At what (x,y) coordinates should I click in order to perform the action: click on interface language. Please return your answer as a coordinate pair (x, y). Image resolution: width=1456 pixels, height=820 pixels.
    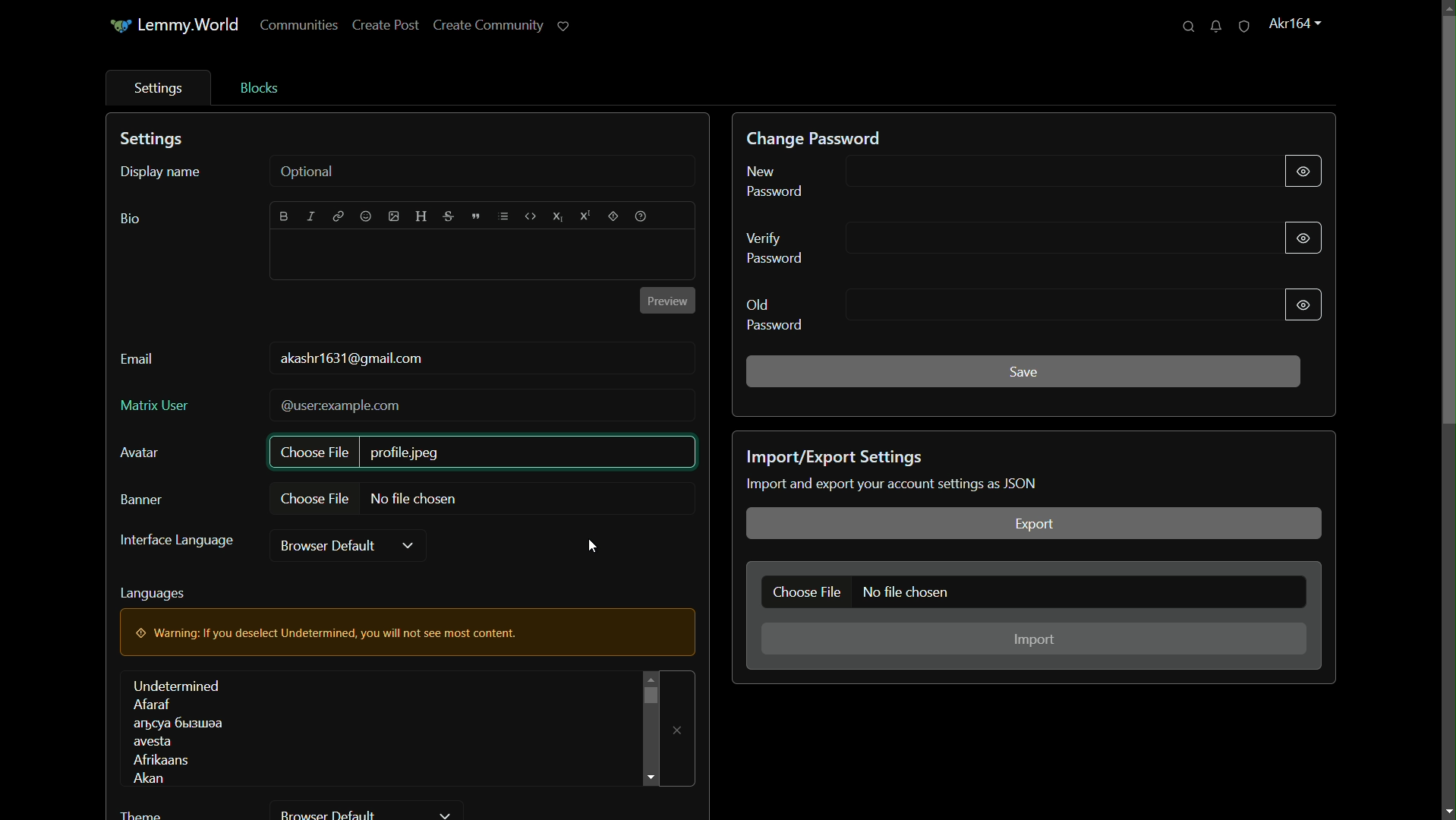
    Looking at the image, I should click on (177, 541).